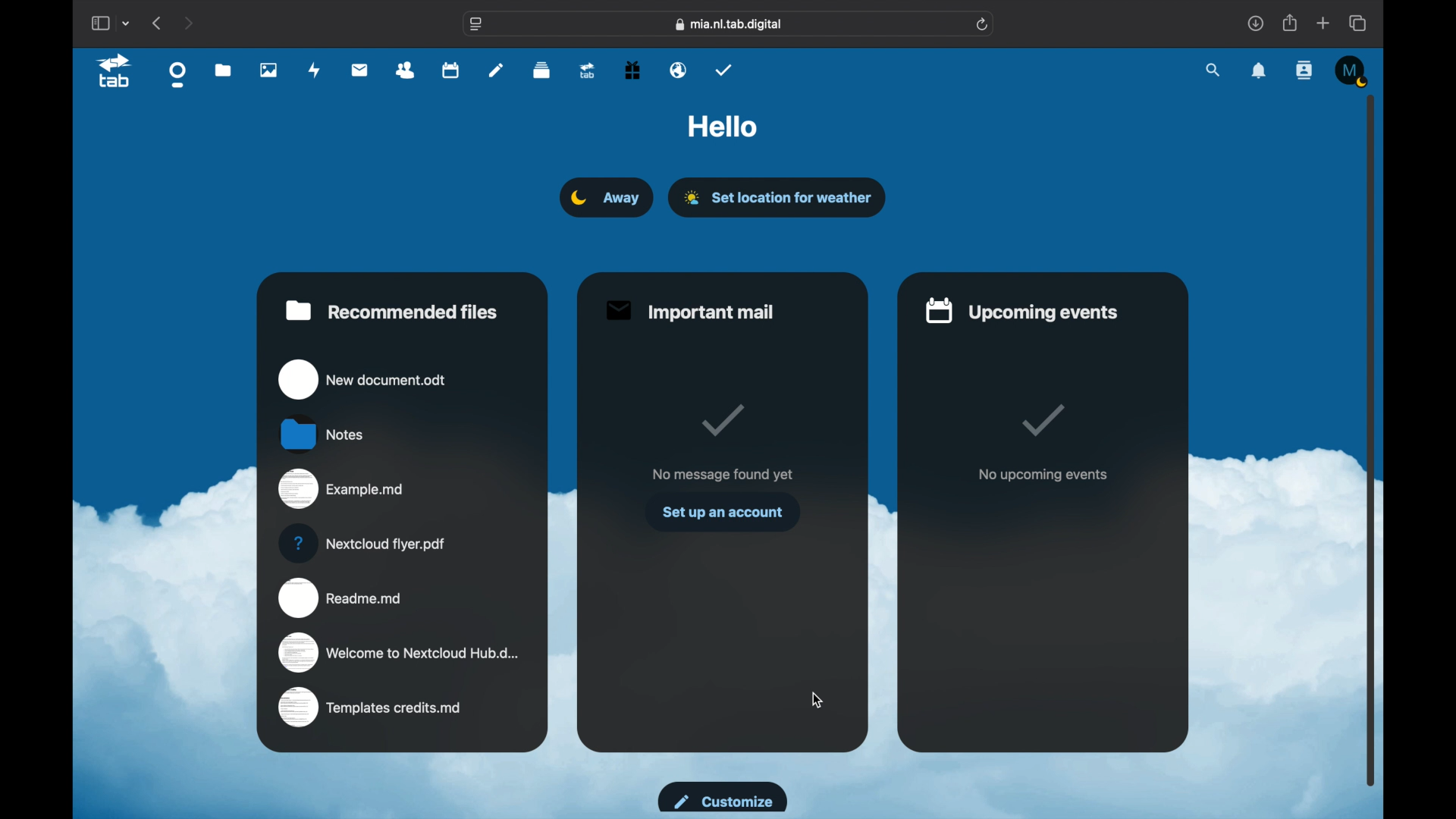  What do you see at coordinates (1291, 22) in the screenshot?
I see `share` at bounding box center [1291, 22].